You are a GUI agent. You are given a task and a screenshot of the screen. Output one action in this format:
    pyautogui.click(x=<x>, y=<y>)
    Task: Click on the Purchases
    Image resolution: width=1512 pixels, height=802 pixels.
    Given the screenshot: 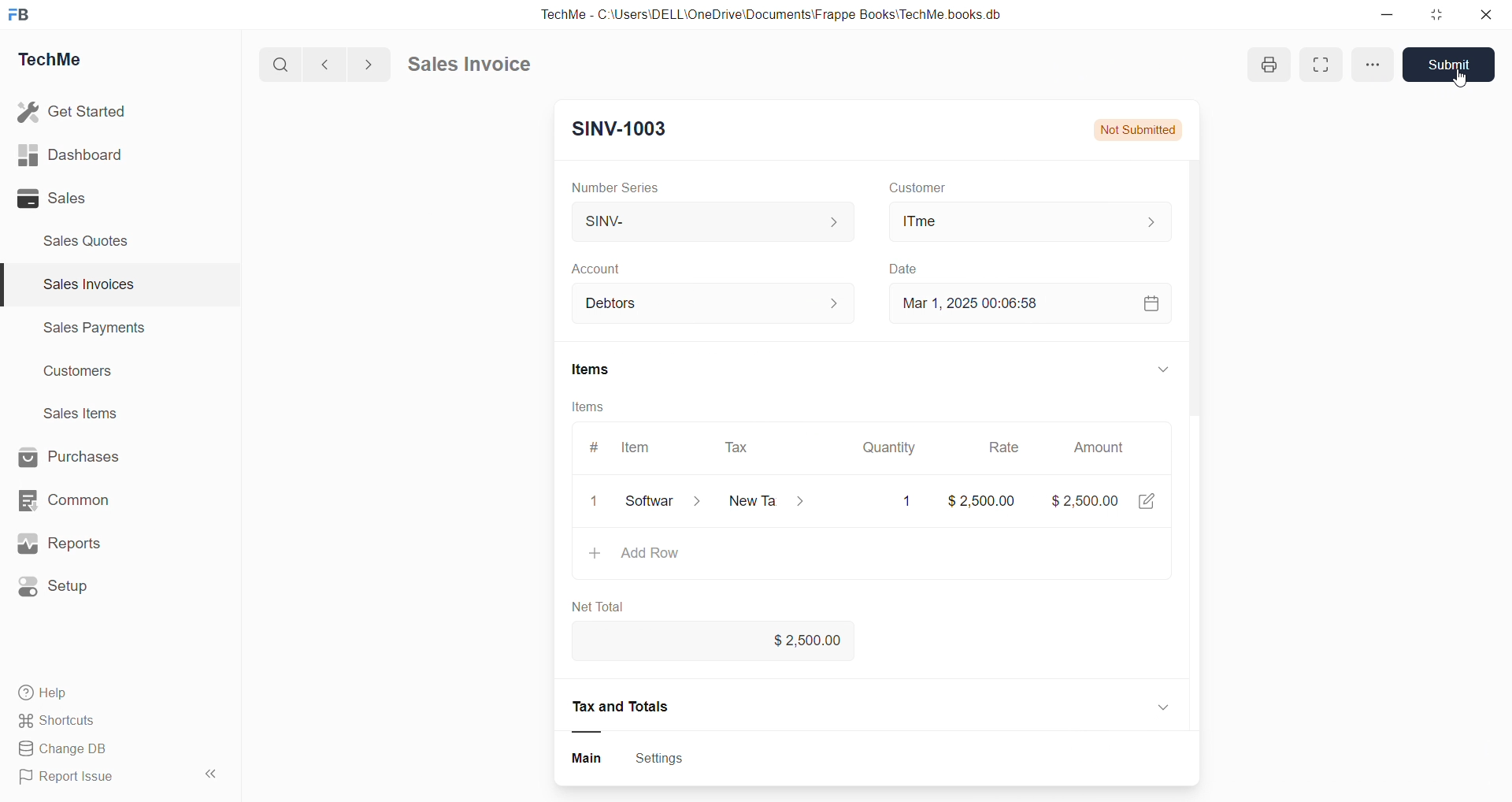 What is the action you would take?
    pyautogui.click(x=83, y=455)
    